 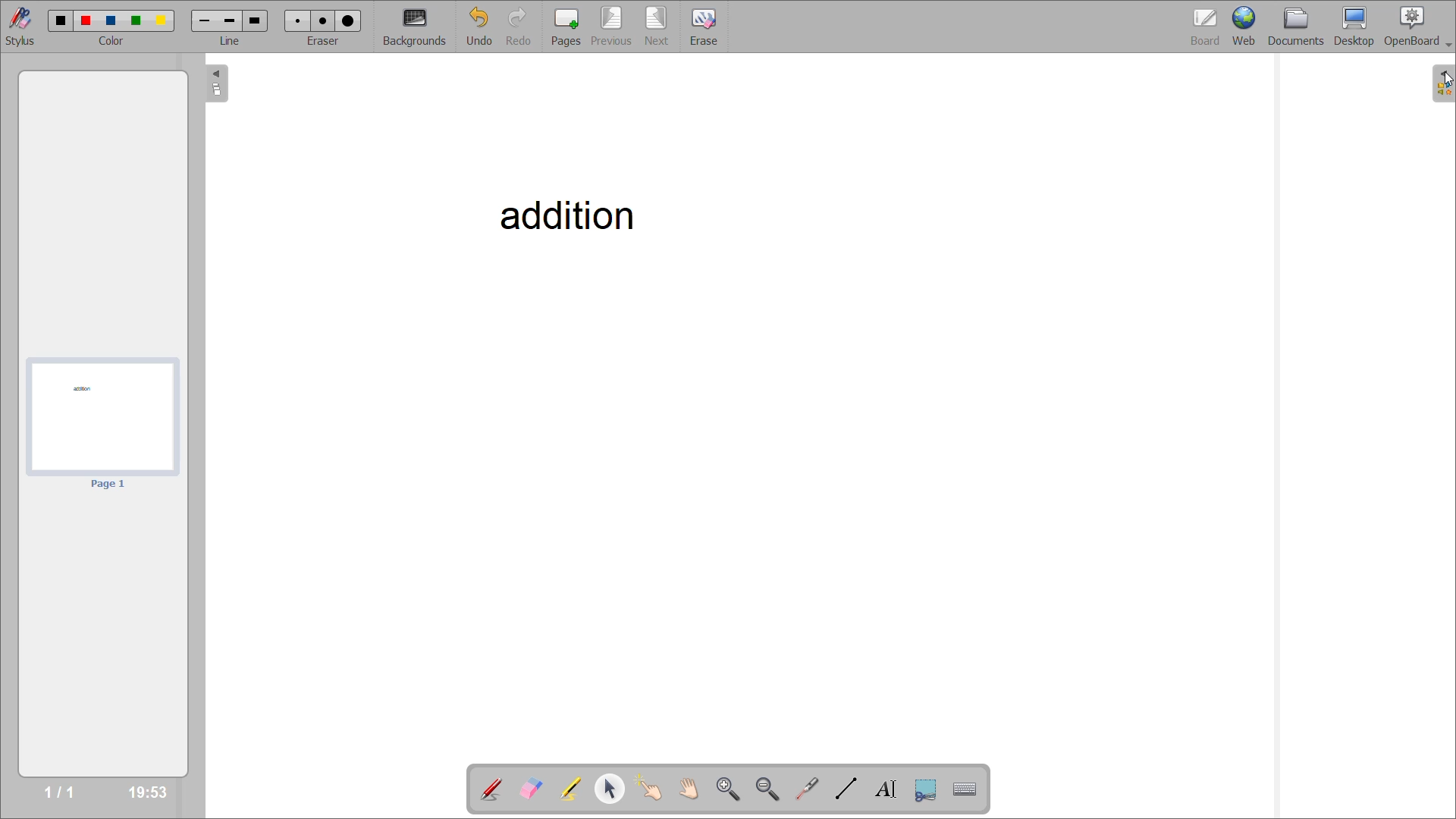 I want to click on desktop, so click(x=1359, y=27).